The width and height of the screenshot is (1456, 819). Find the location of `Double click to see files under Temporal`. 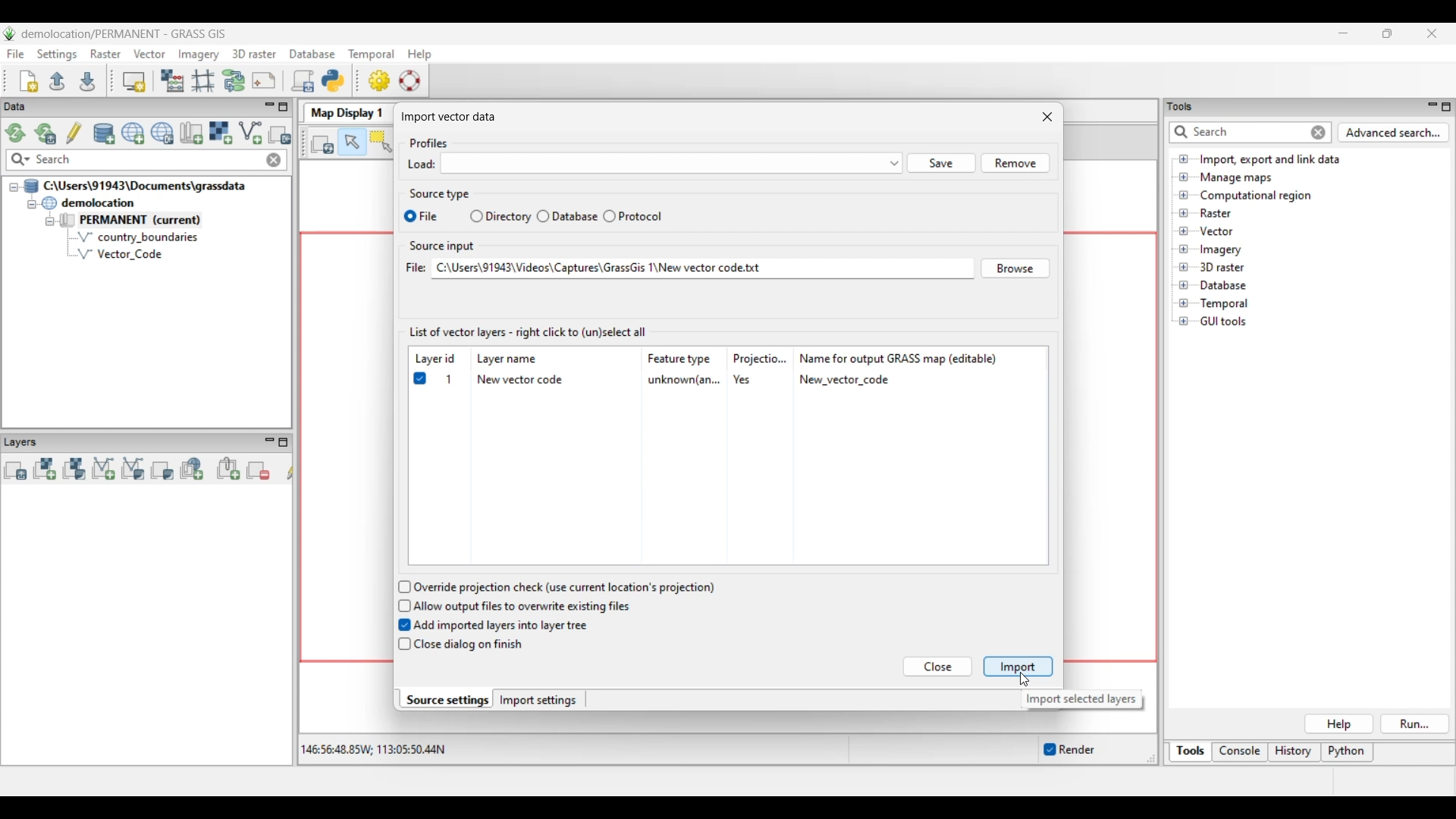

Double click to see files under Temporal is located at coordinates (1224, 304).